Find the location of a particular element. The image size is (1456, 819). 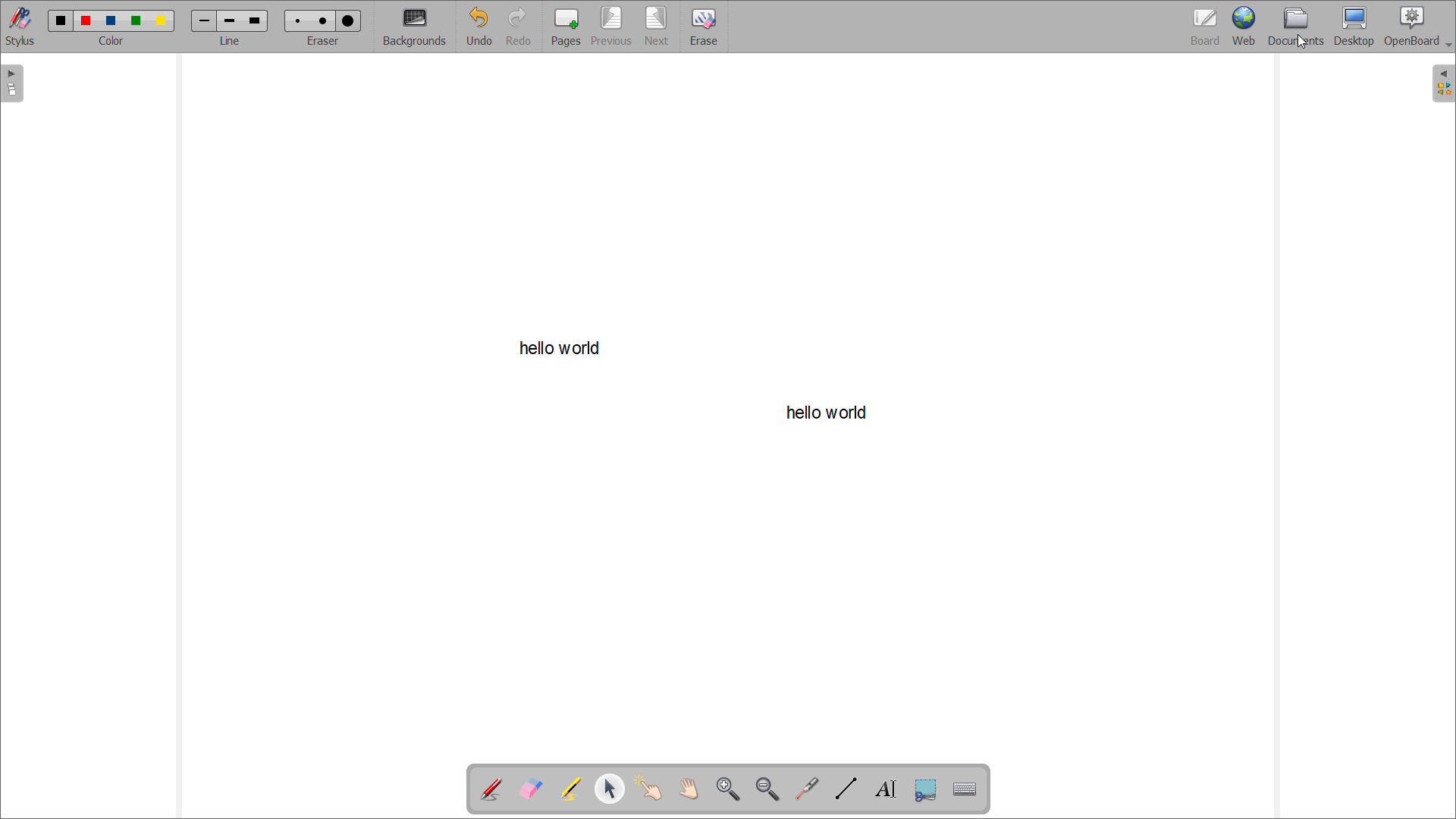

select and modify objects is located at coordinates (611, 788).